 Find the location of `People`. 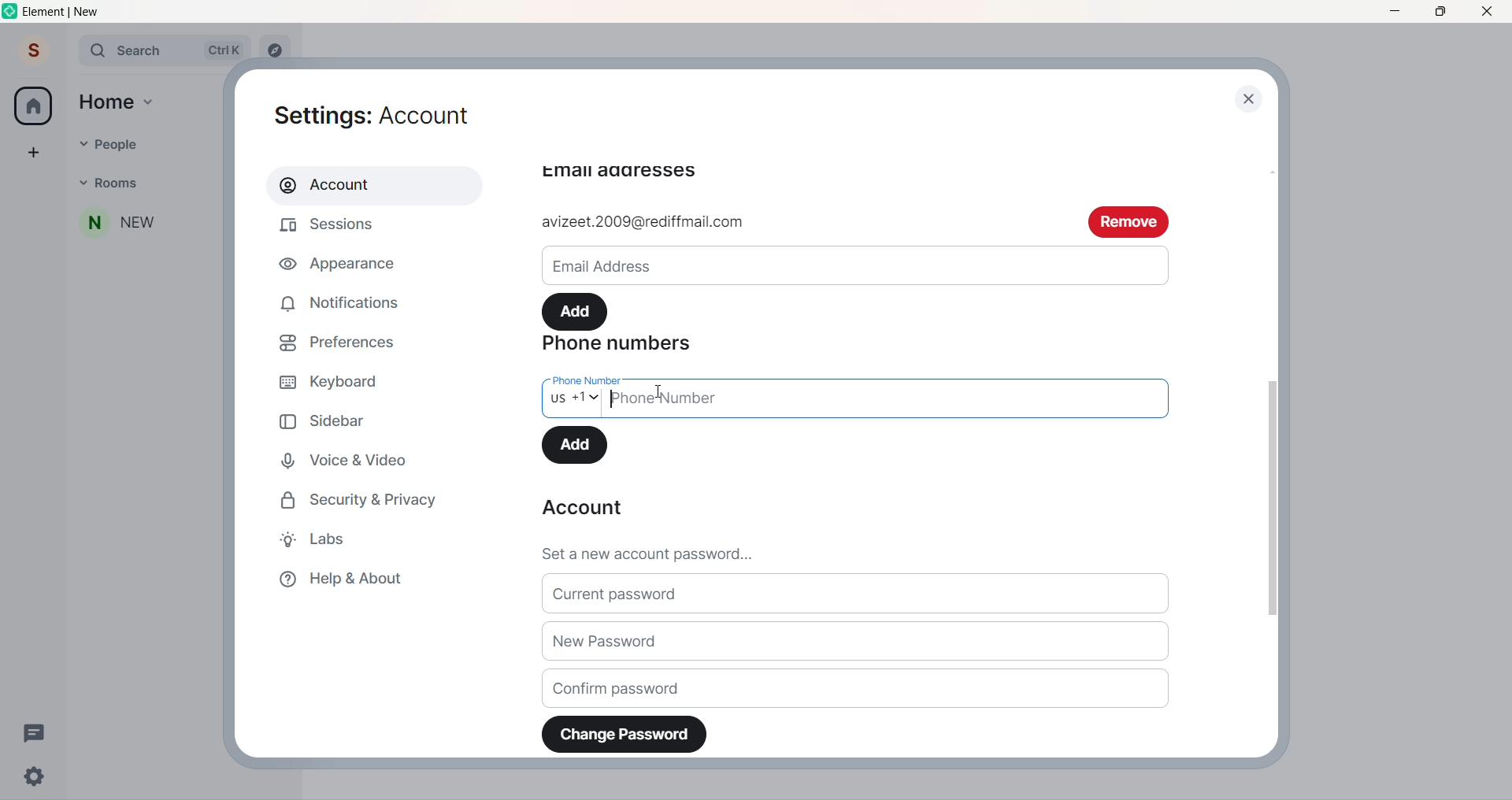

People is located at coordinates (154, 142).